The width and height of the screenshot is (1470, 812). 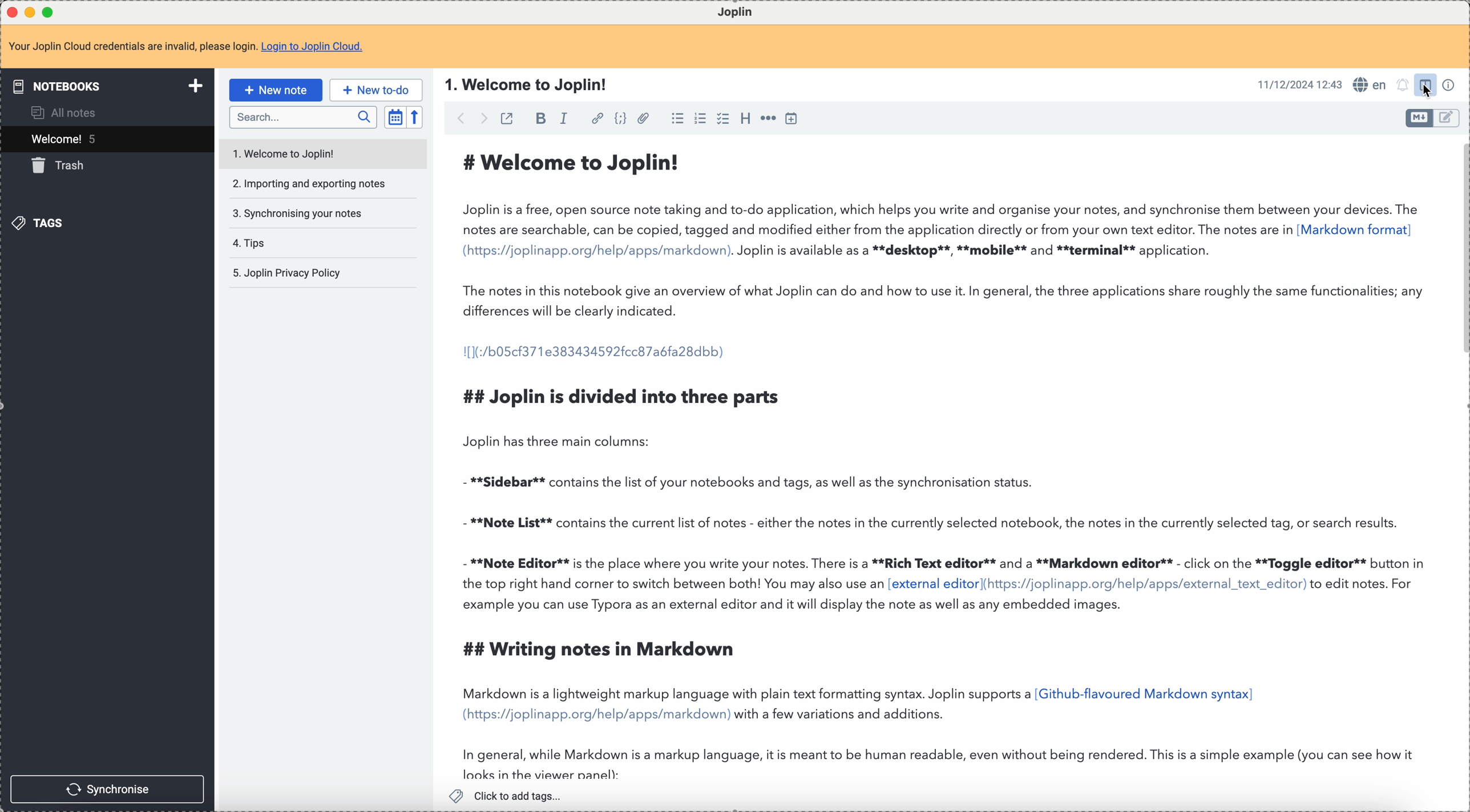 What do you see at coordinates (944, 220) in the screenshot?
I see `Joplin is a free, open source note taking and to-do application, which helps you write and organise your notes, and synchronise them between your devices. The
notes are searchable, can be copied, tagged and modified either from the application directly or from your own text editor. The notes are in [Markdown format]` at bounding box center [944, 220].